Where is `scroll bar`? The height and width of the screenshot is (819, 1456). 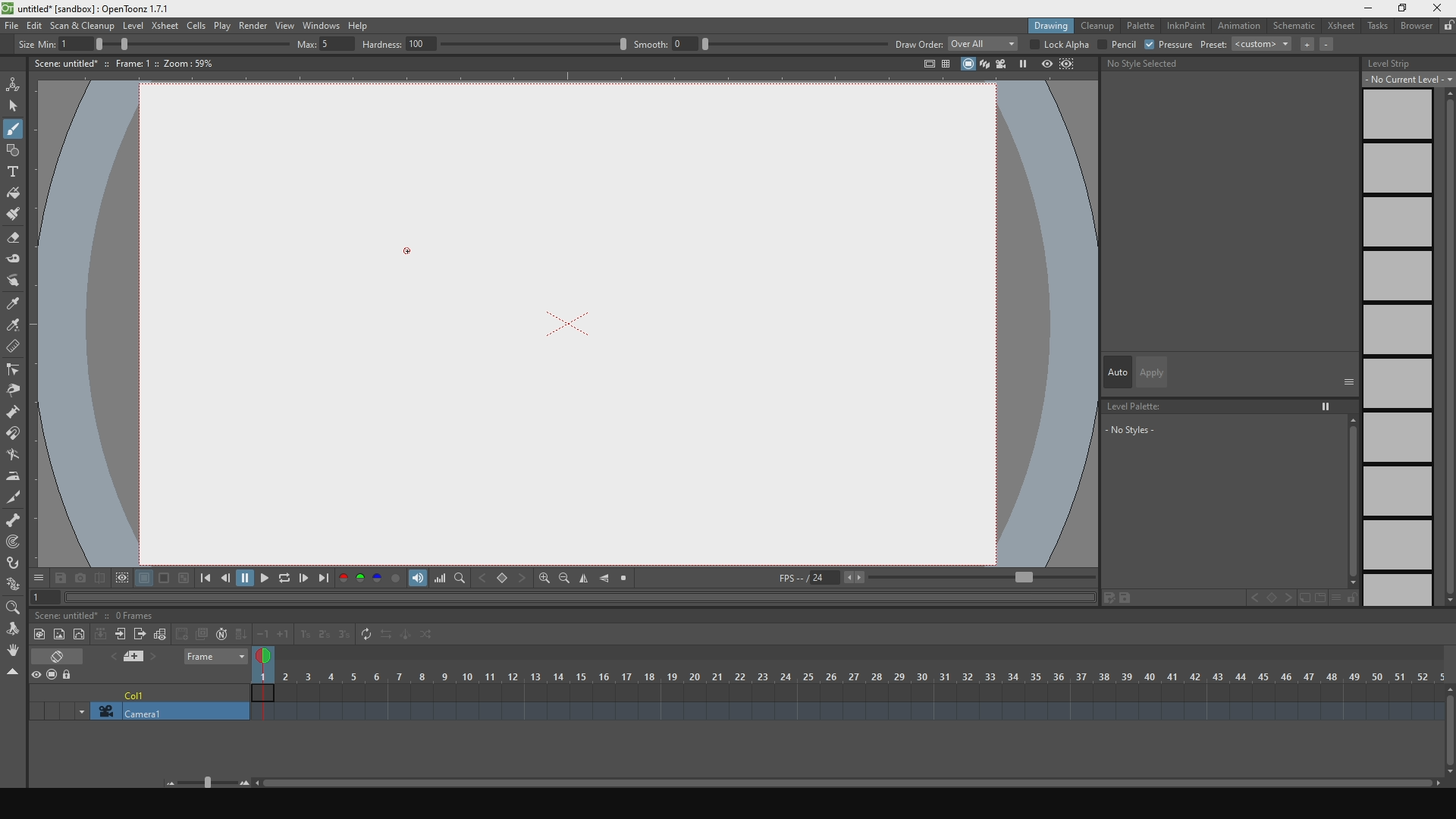
scroll bar is located at coordinates (1447, 728).